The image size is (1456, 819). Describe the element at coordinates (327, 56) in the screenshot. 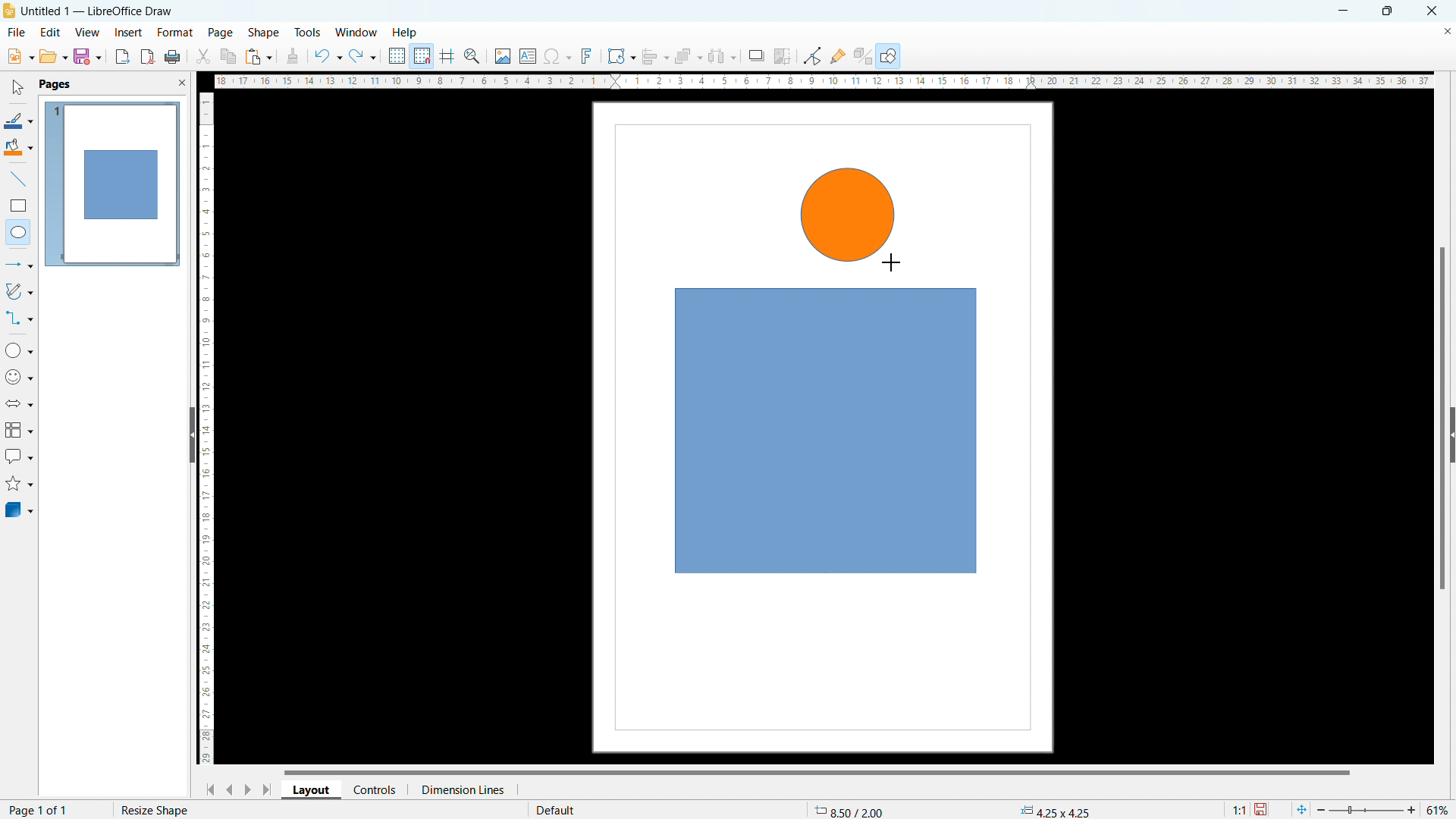

I see `undo` at that location.